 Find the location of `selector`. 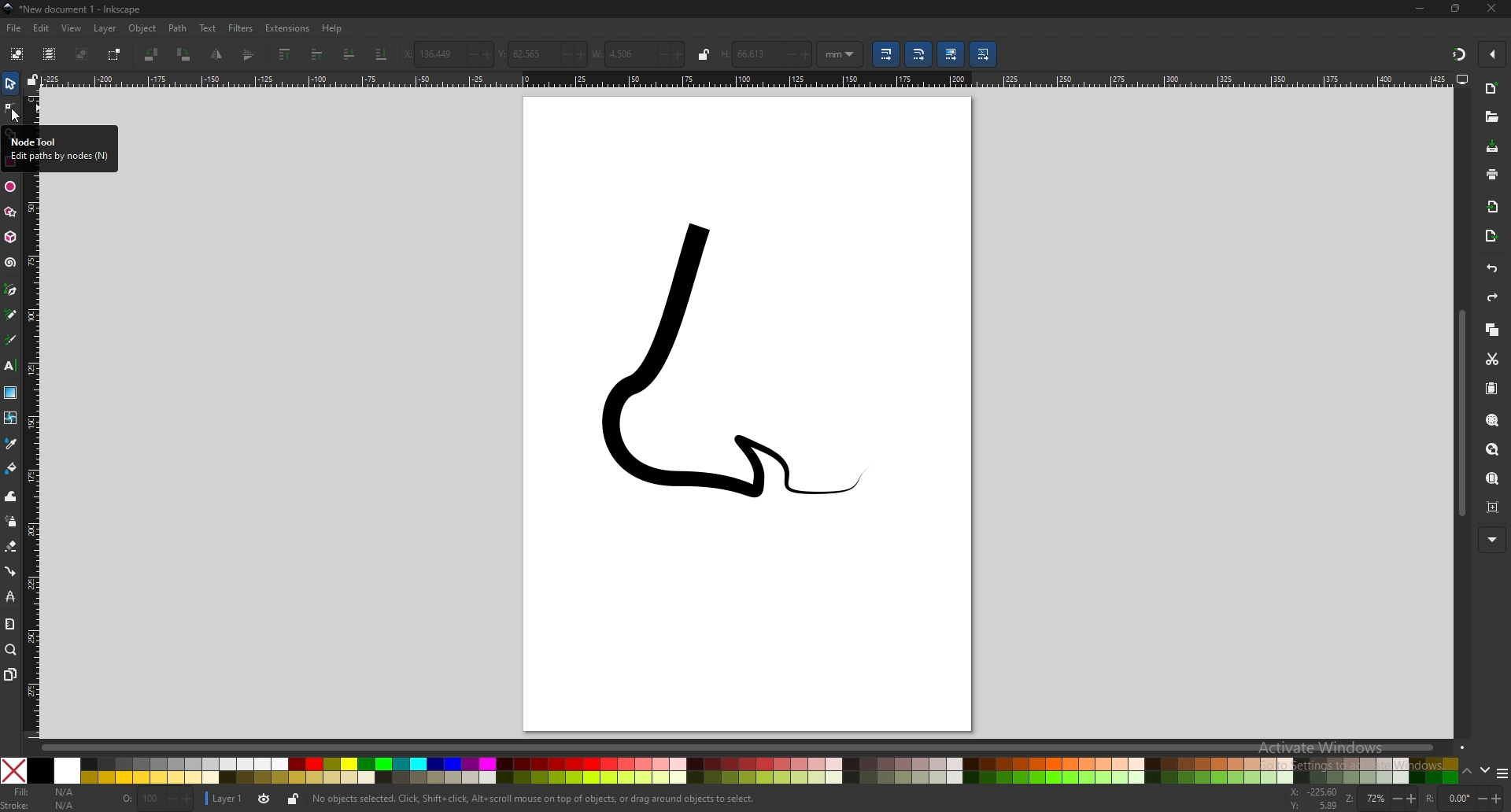

selector is located at coordinates (11, 83).